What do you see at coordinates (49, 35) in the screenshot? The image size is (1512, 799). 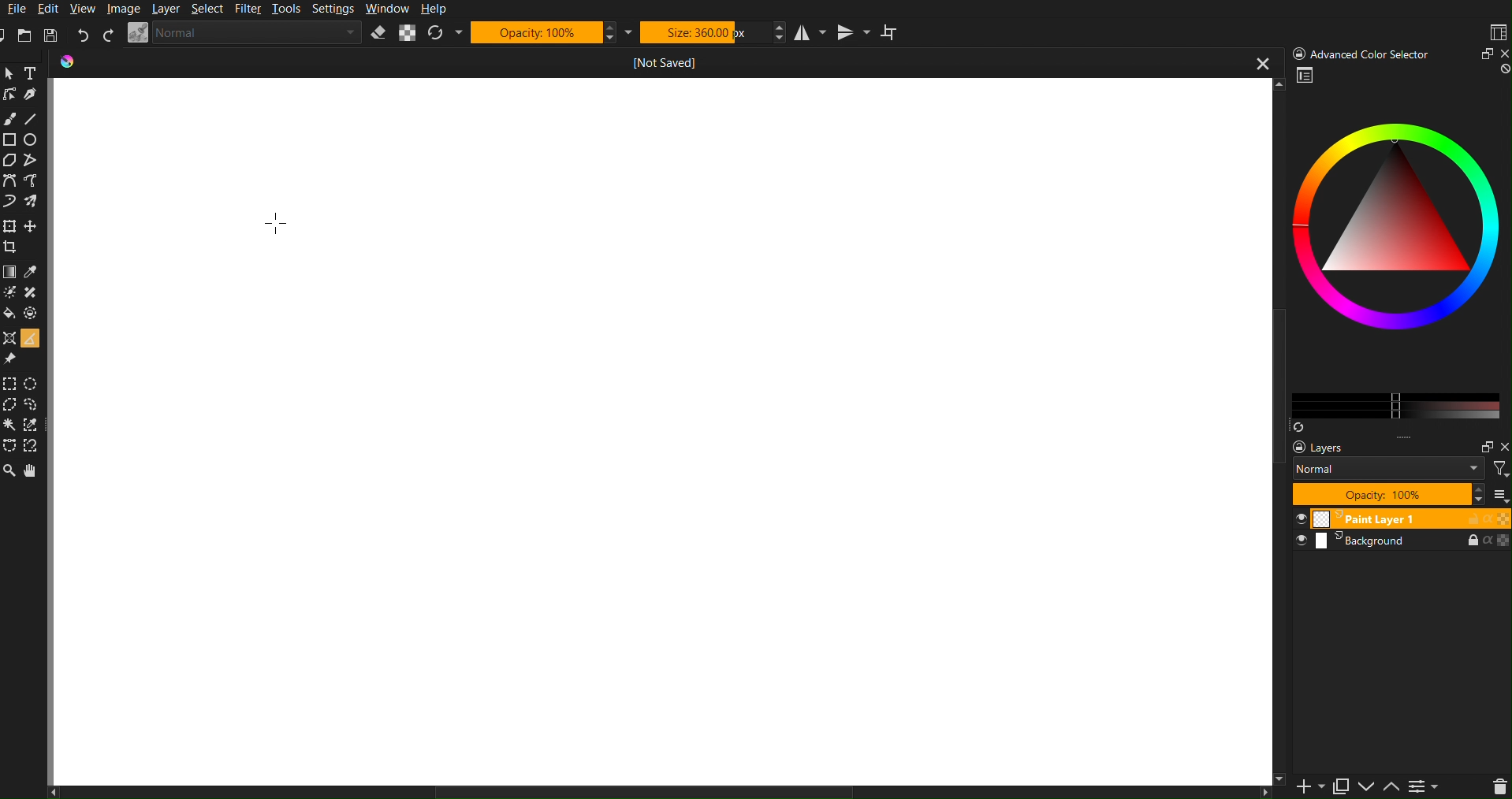 I see `Save` at bounding box center [49, 35].